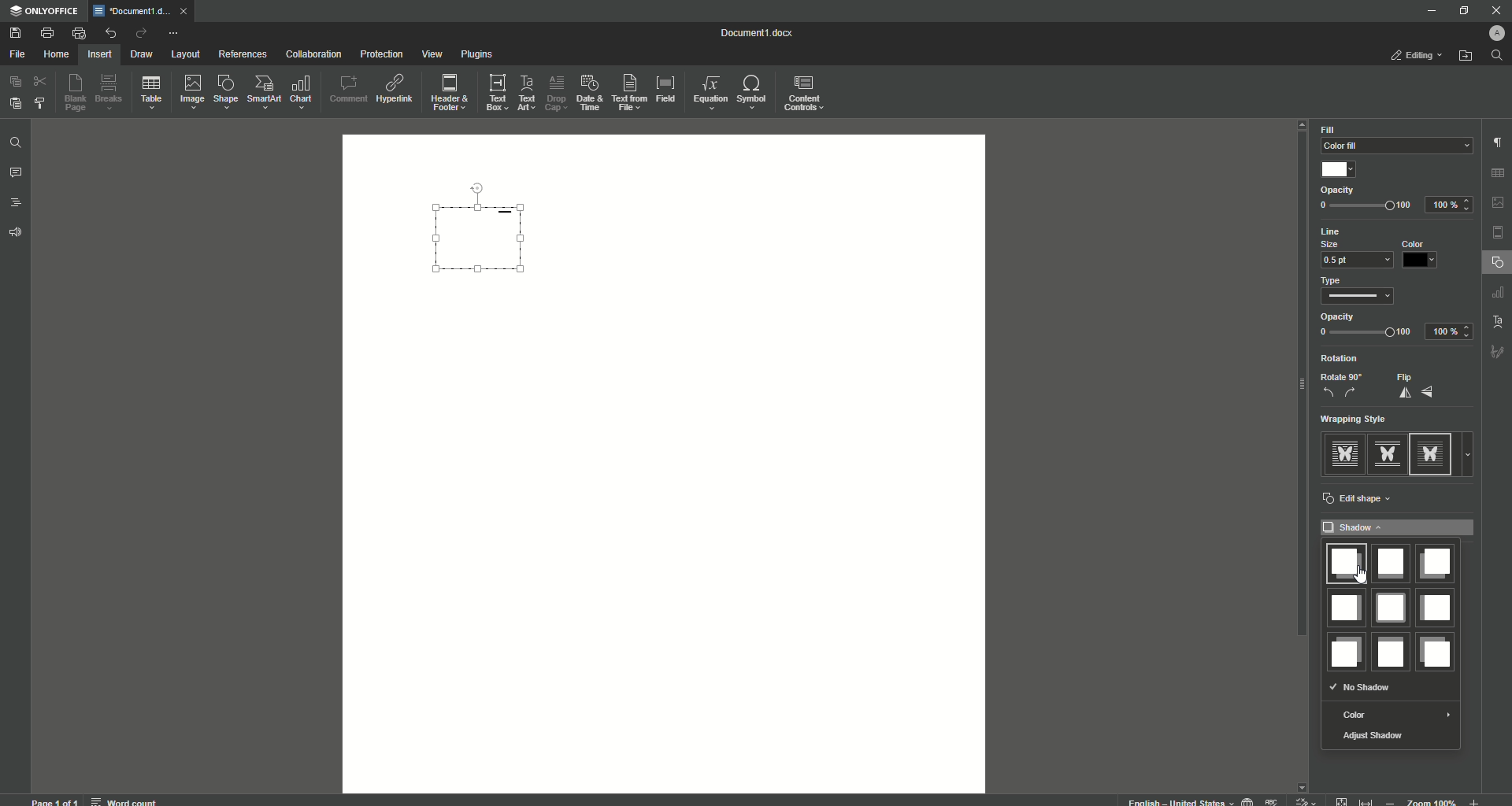  I want to click on Draw, so click(143, 55).